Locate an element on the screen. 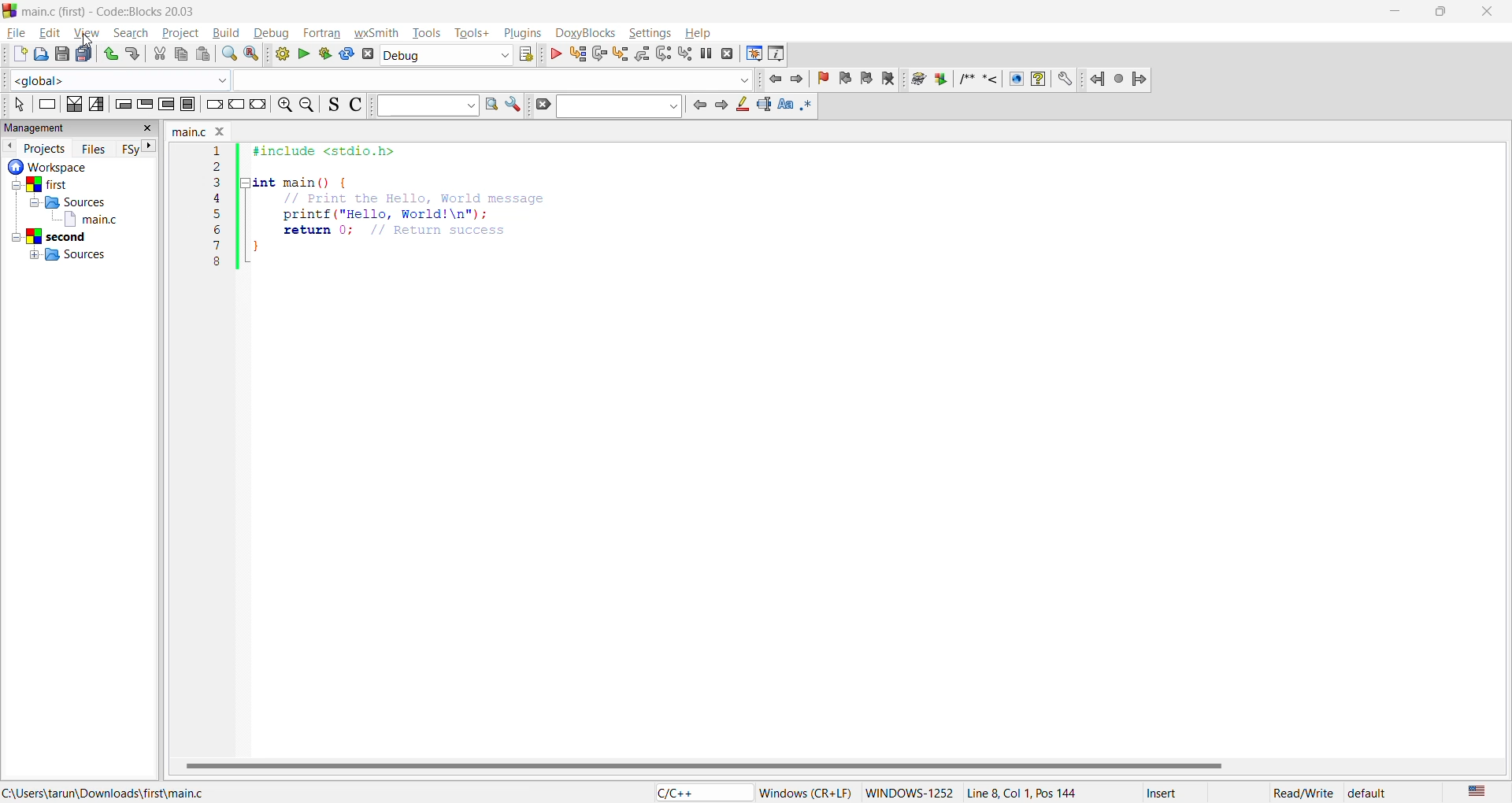 This screenshot has width=1512, height=803. Insert is located at coordinates (1165, 792).